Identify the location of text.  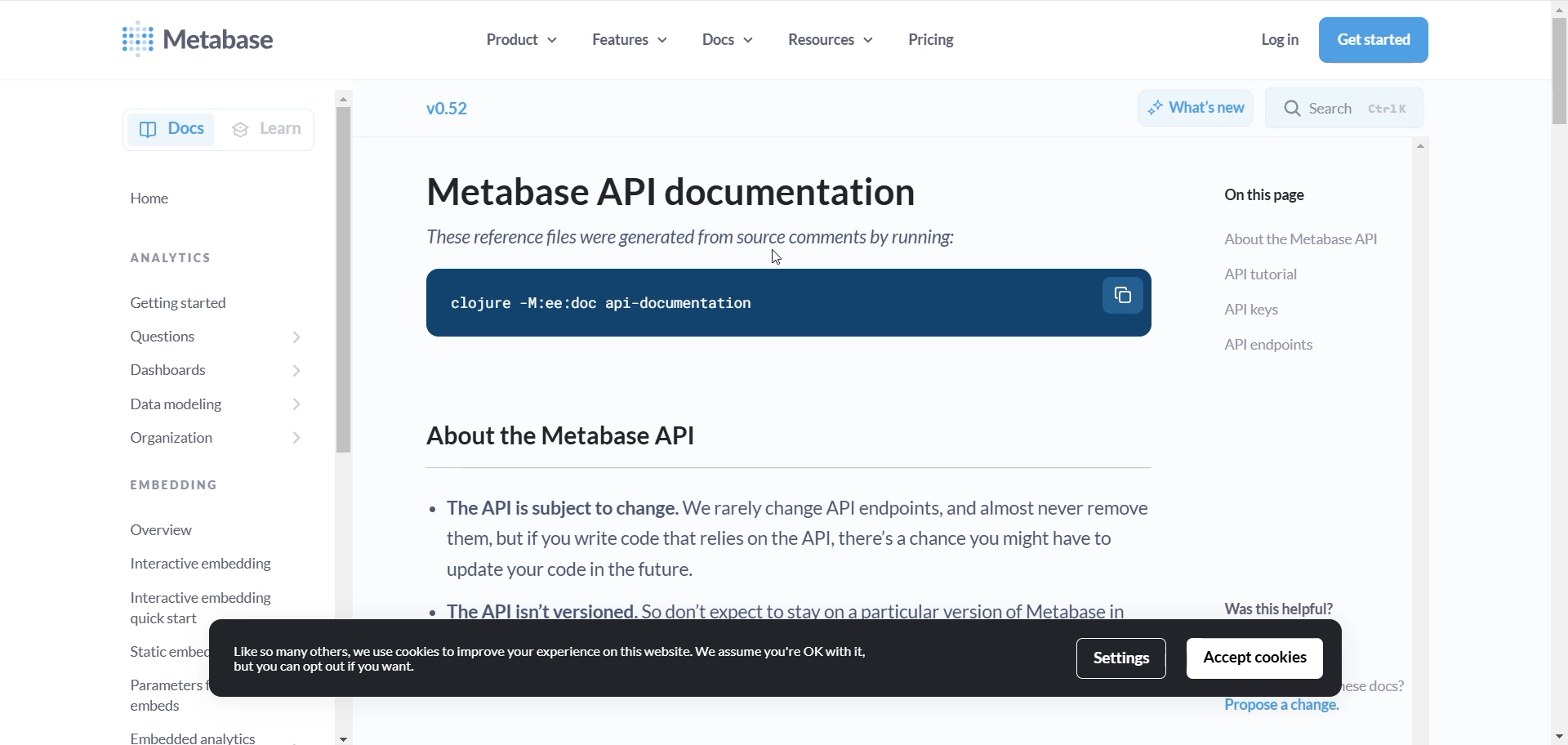
(1281, 607).